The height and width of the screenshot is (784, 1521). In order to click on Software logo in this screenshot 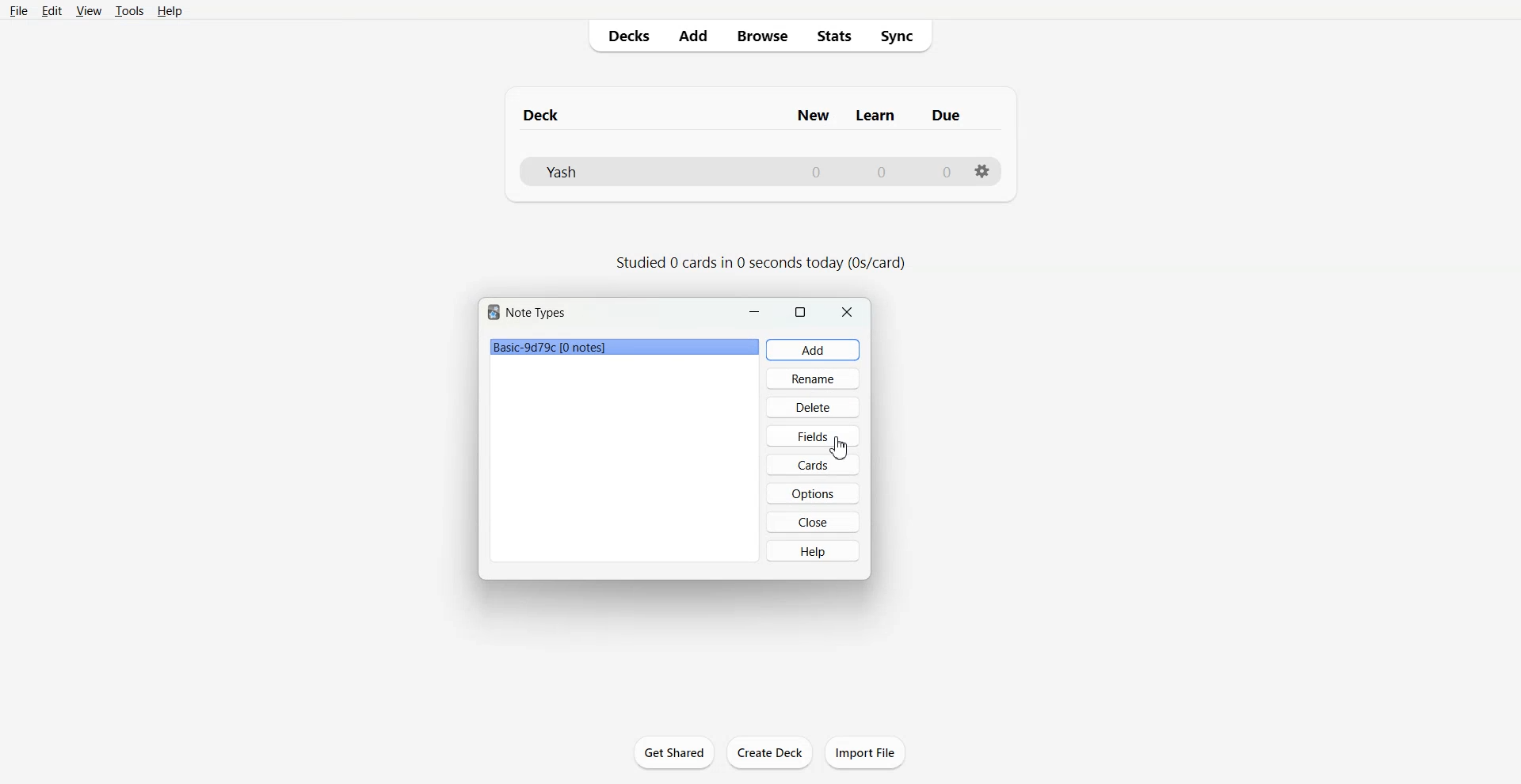, I will do `click(493, 312)`.